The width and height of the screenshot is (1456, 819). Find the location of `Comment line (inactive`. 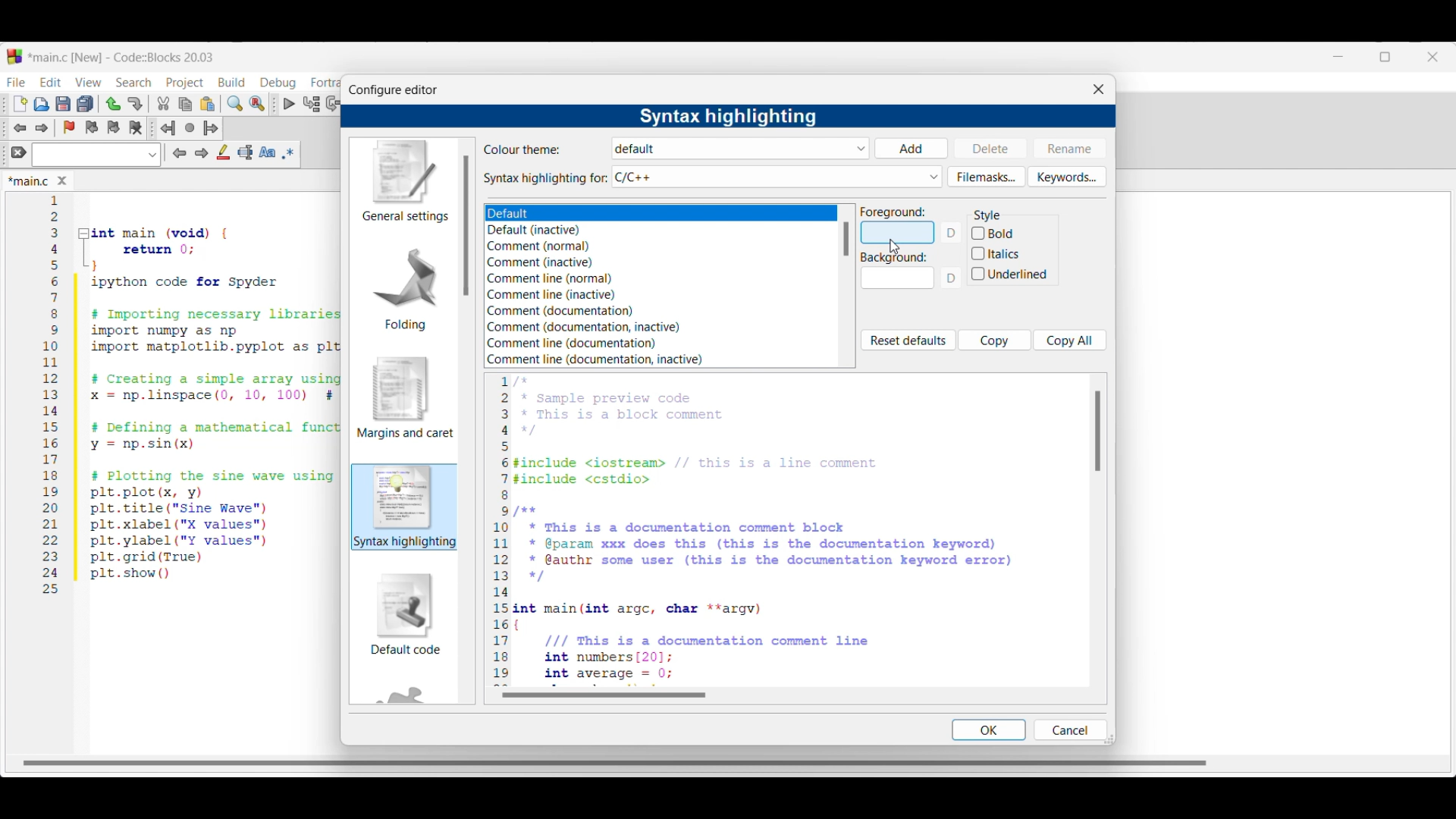

Comment line (inactive is located at coordinates (548, 294).